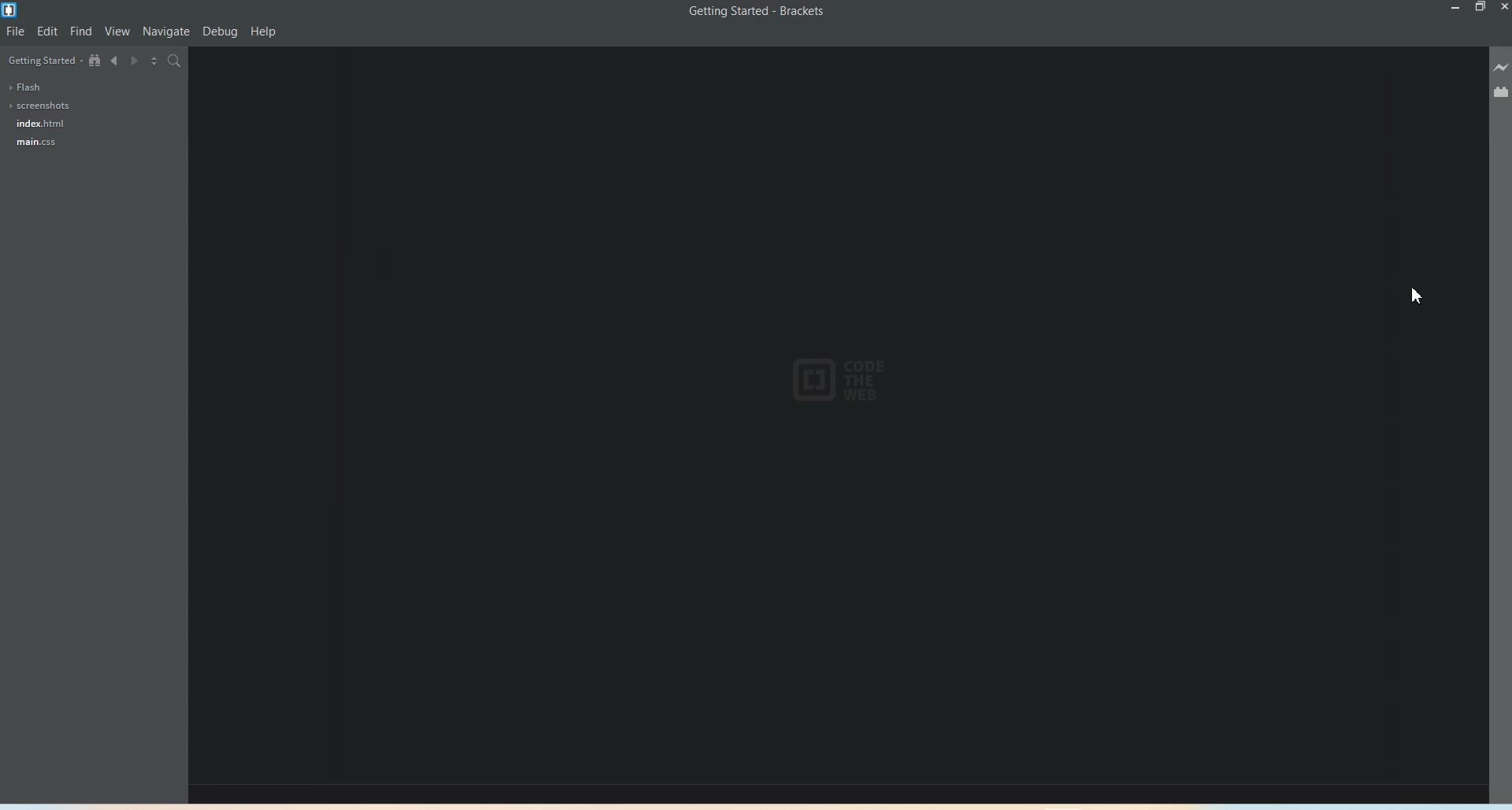  What do you see at coordinates (1501, 92) in the screenshot?
I see `Extension Manager` at bounding box center [1501, 92].